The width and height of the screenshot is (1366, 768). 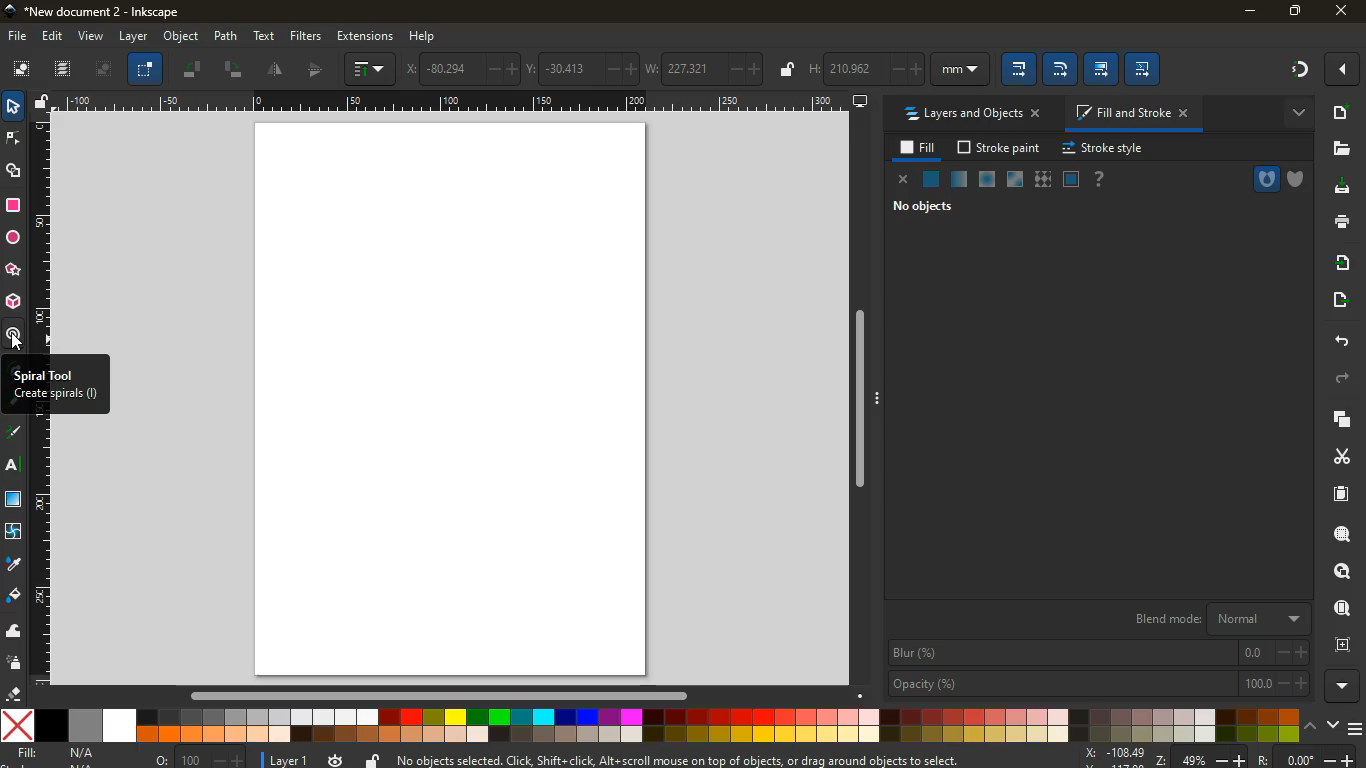 I want to click on file, so click(x=18, y=36).